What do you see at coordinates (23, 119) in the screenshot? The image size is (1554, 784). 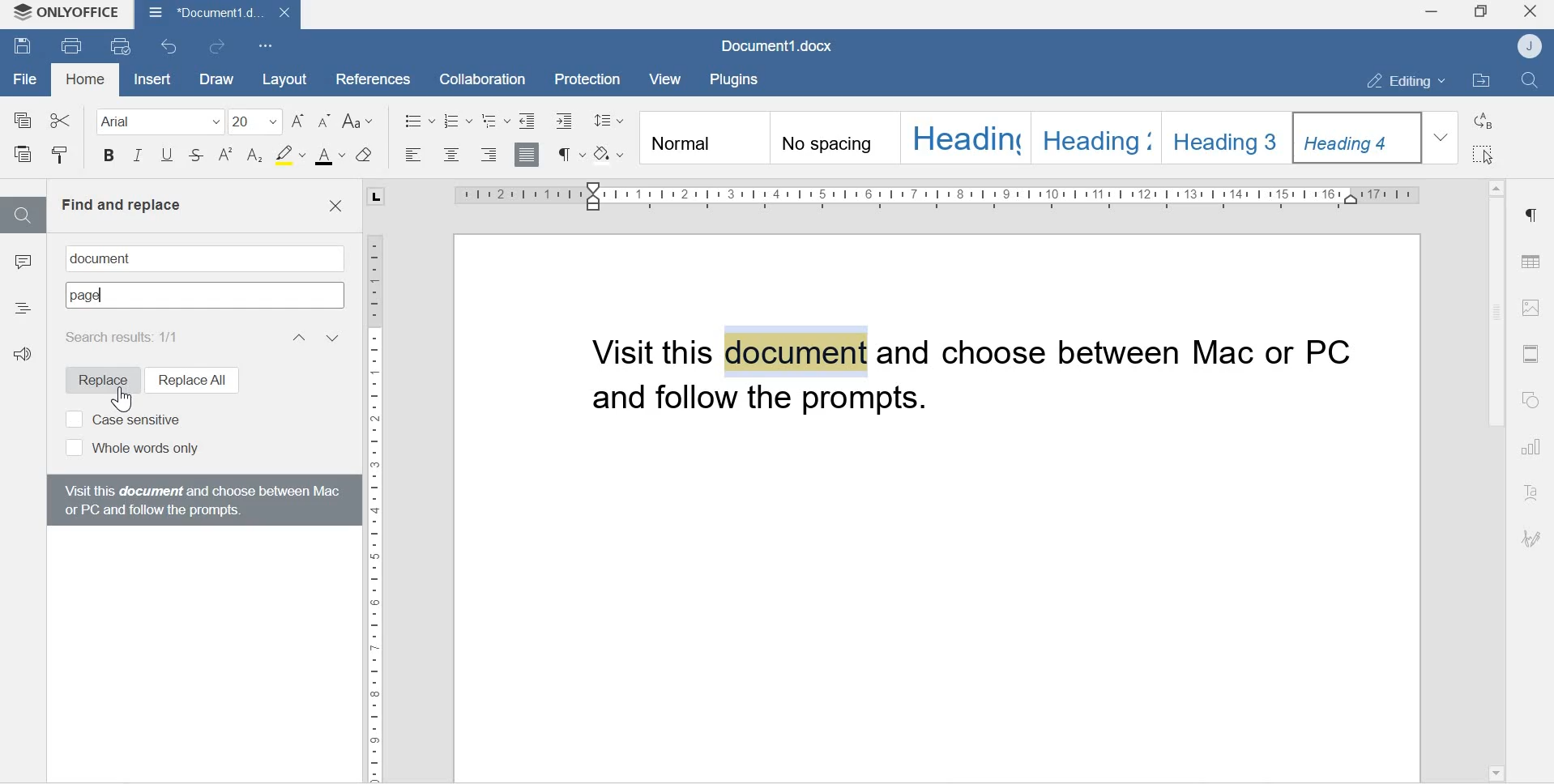 I see `Copy` at bounding box center [23, 119].